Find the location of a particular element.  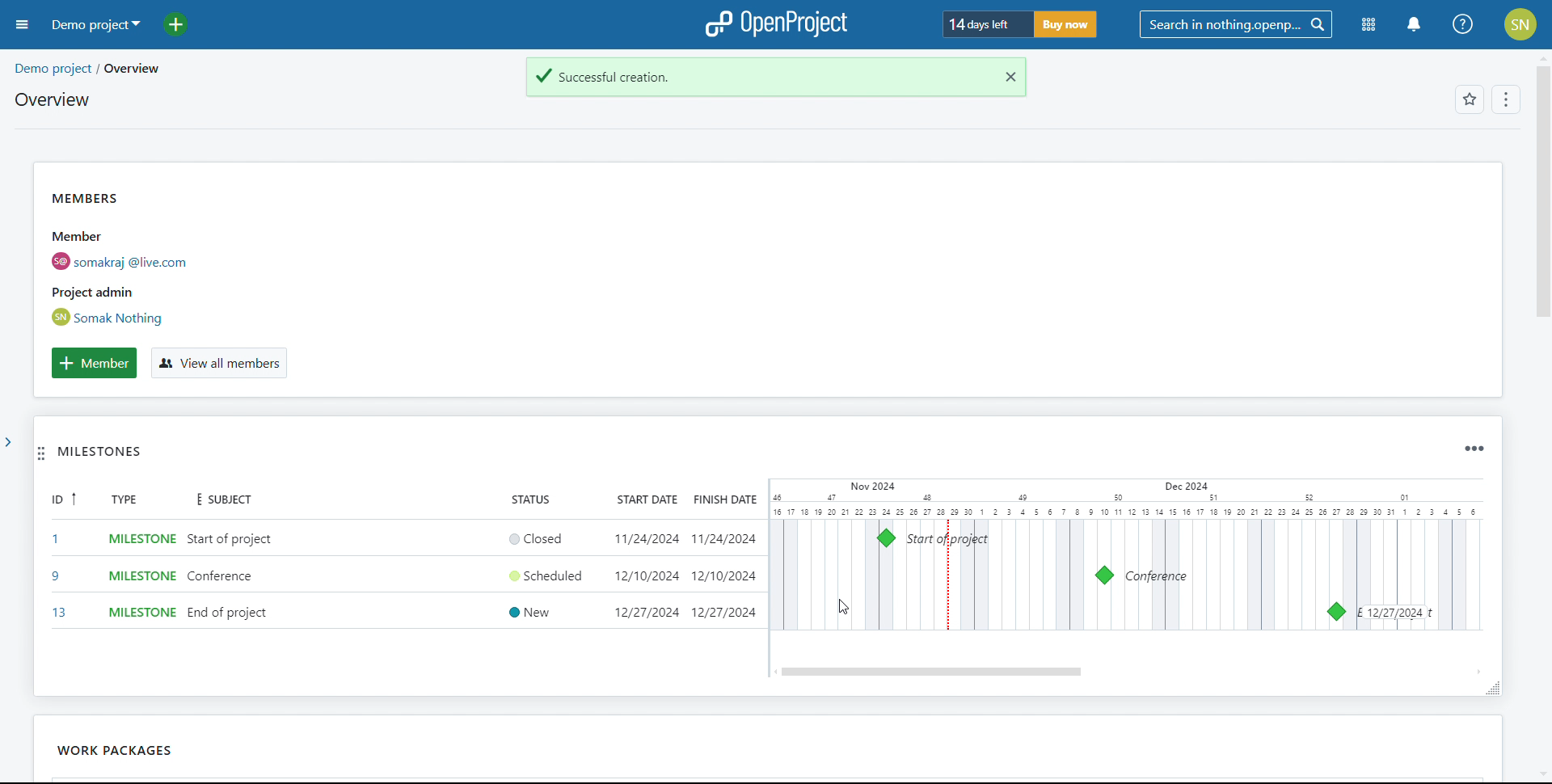

scroll up is located at coordinates (1541, 57).